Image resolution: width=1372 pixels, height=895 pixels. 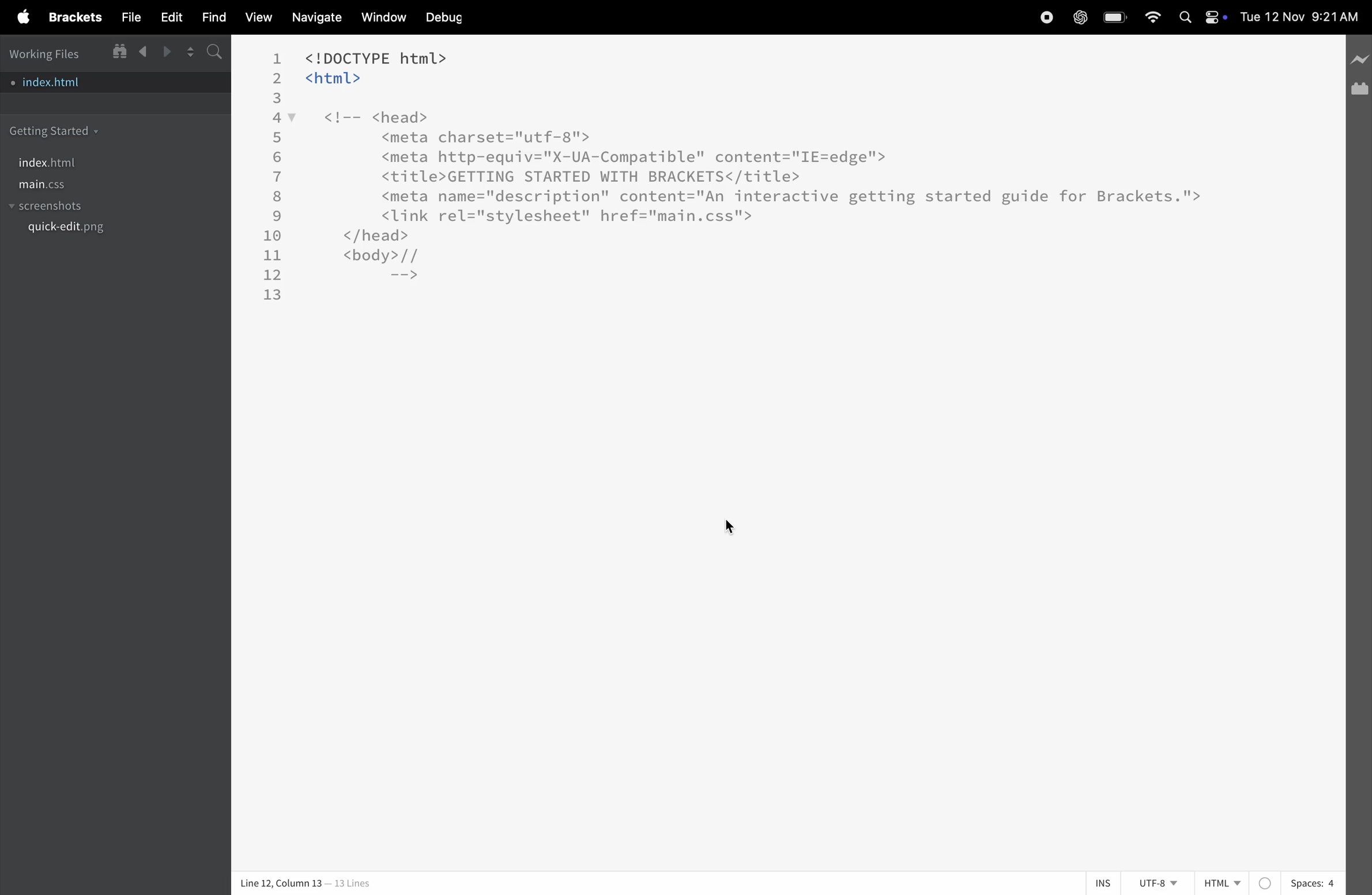 I want to click on edit, so click(x=167, y=16).